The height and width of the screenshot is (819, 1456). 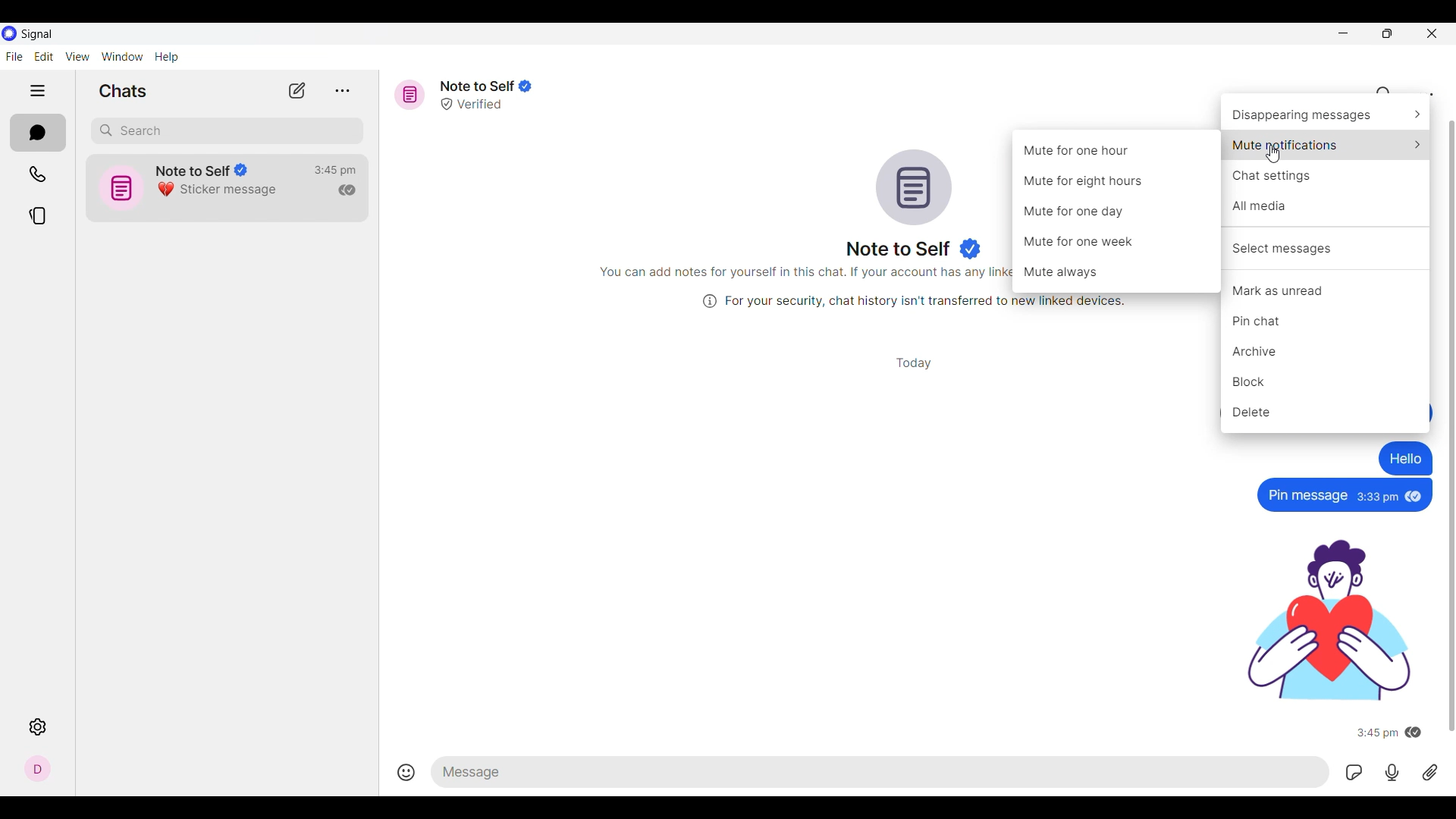 I want to click on Insert emojis, so click(x=408, y=770).